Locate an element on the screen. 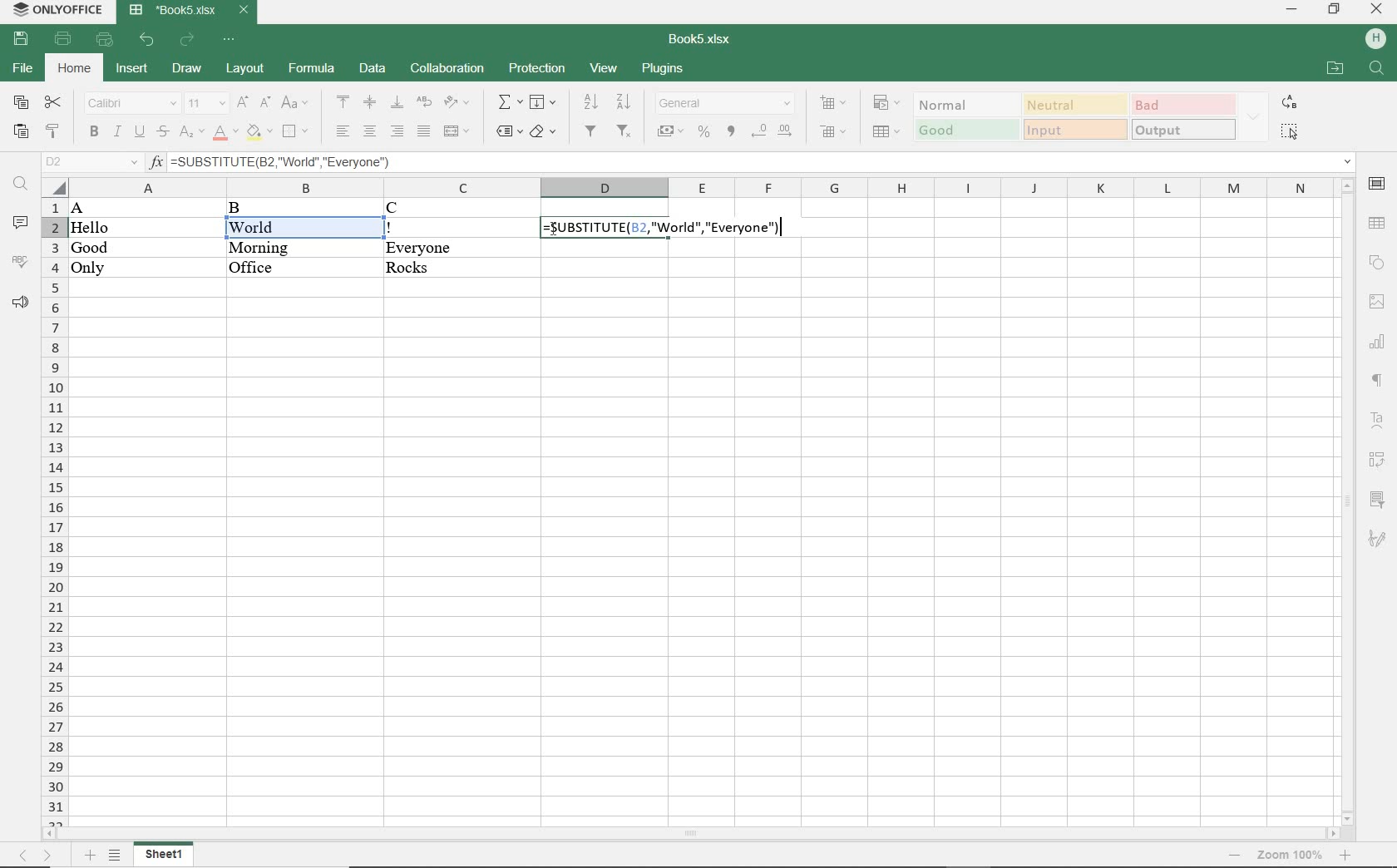 This screenshot has width=1397, height=868. data is located at coordinates (373, 69).